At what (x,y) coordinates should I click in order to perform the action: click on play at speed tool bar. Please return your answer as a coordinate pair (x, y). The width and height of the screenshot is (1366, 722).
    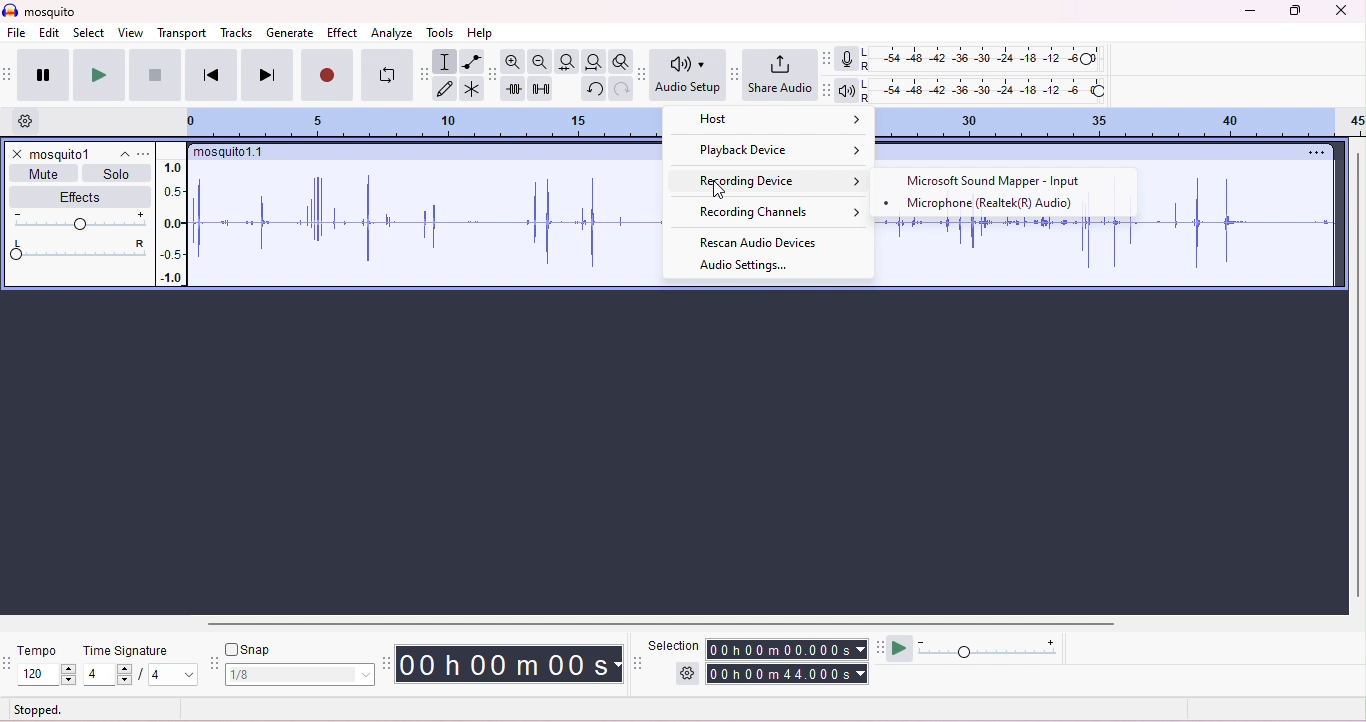
    Looking at the image, I should click on (883, 646).